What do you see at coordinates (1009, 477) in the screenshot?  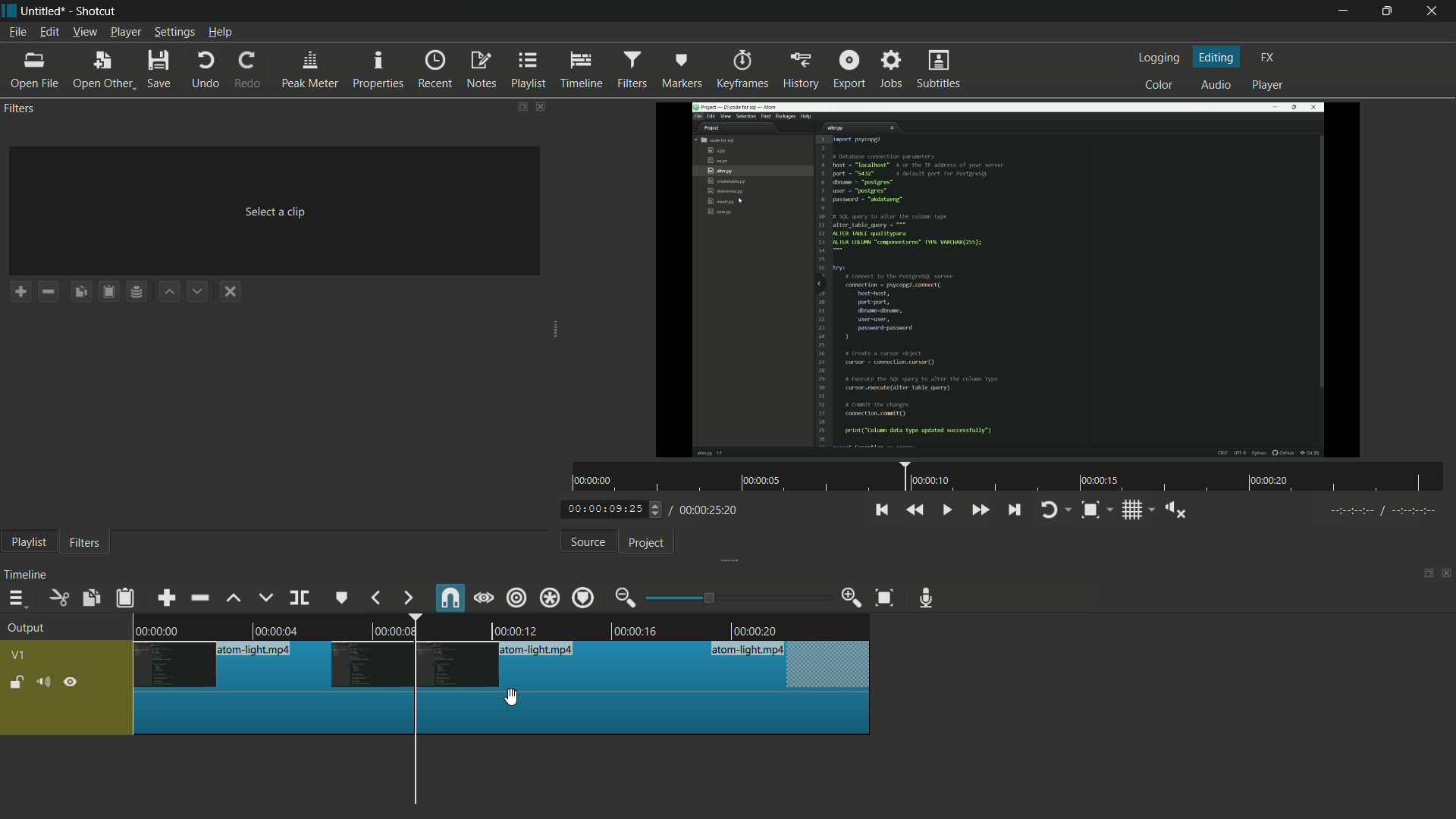 I see `time` at bounding box center [1009, 477].